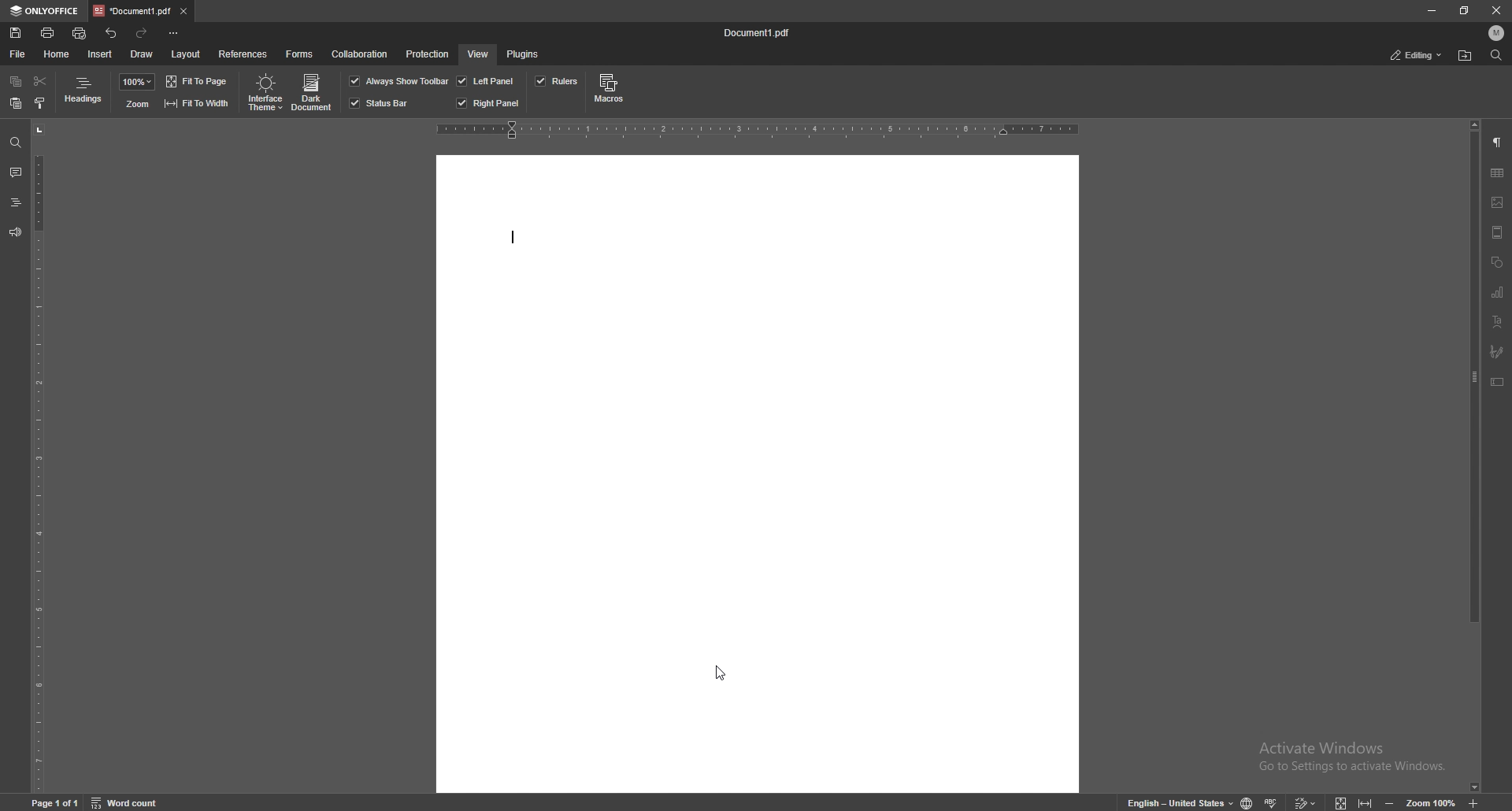  I want to click on header and footer, so click(1497, 231).